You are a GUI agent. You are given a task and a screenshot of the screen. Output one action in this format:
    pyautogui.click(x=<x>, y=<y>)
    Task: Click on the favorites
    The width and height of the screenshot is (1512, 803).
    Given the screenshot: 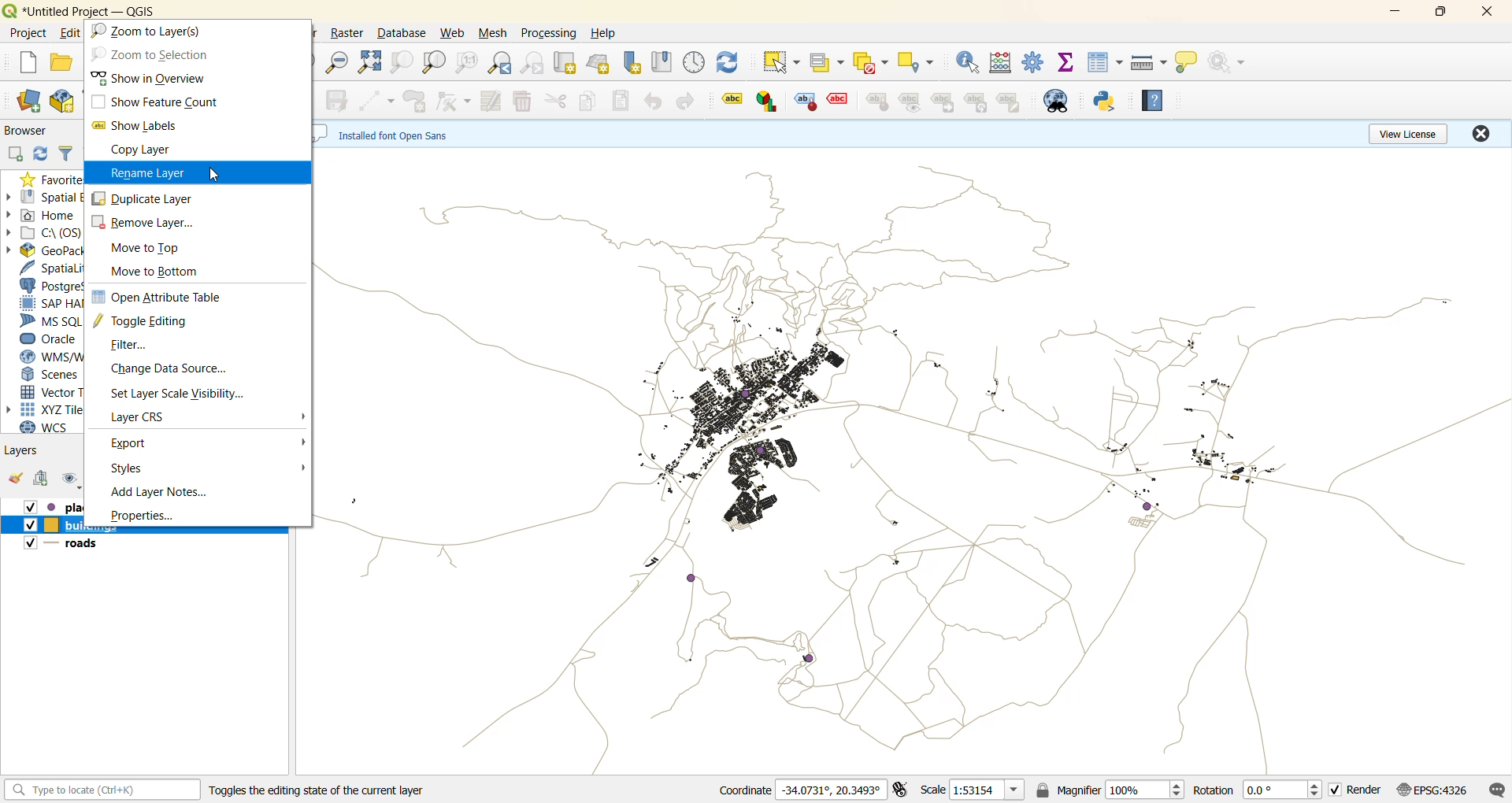 What is the action you would take?
    pyautogui.click(x=50, y=180)
    